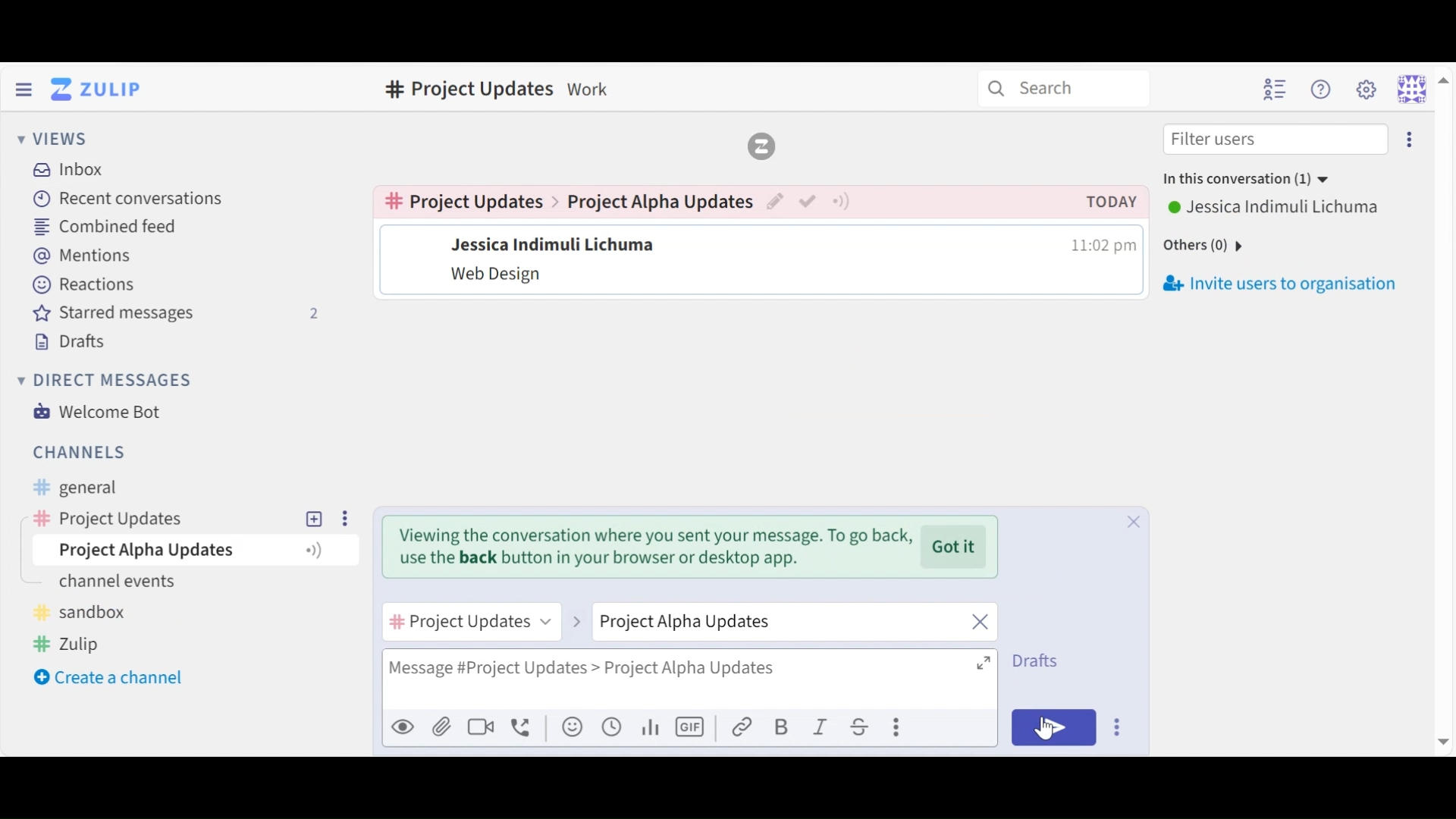 The height and width of the screenshot is (819, 1456). What do you see at coordinates (1276, 140) in the screenshot?
I see `Filter users` at bounding box center [1276, 140].